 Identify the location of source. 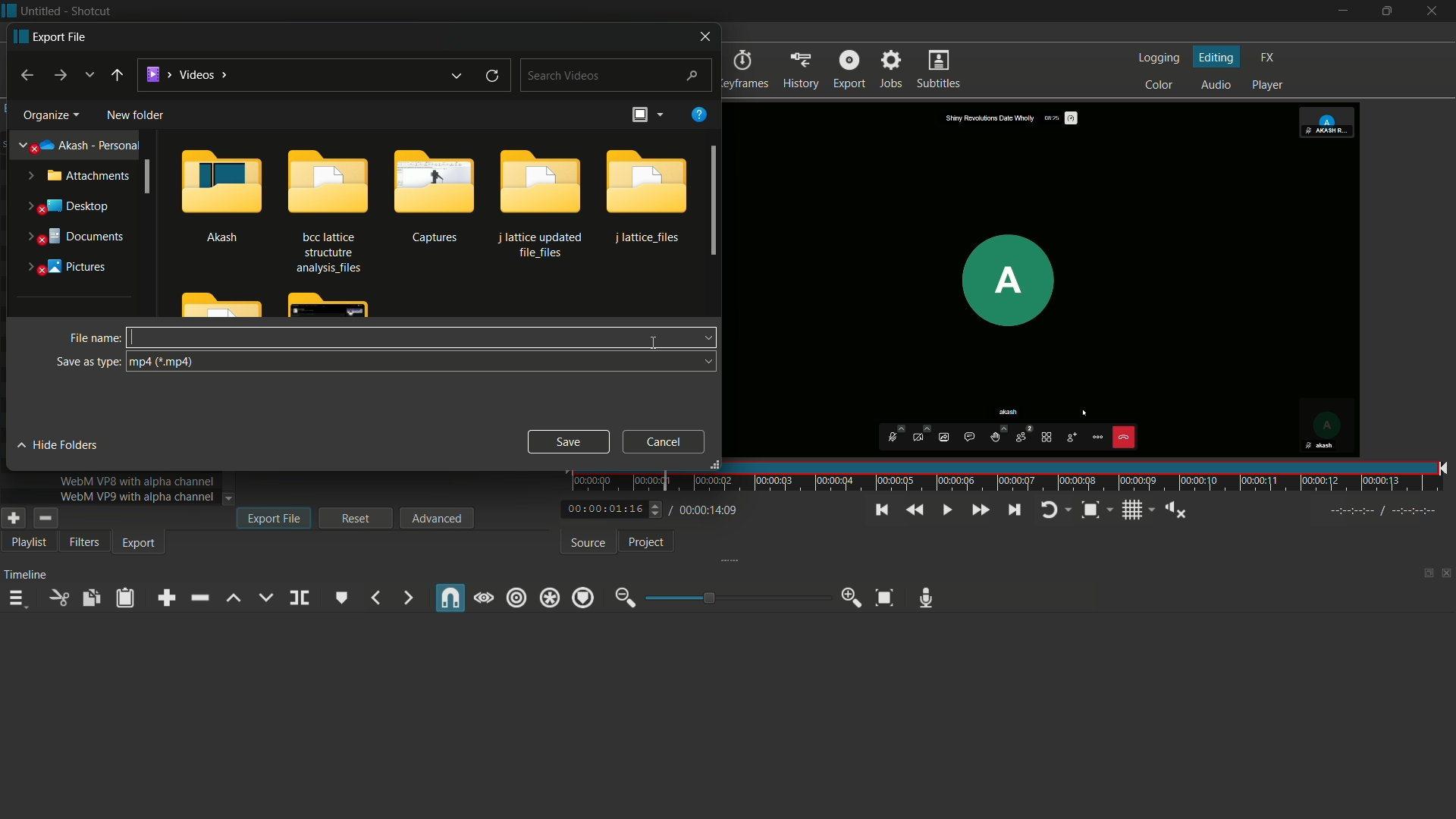
(585, 543).